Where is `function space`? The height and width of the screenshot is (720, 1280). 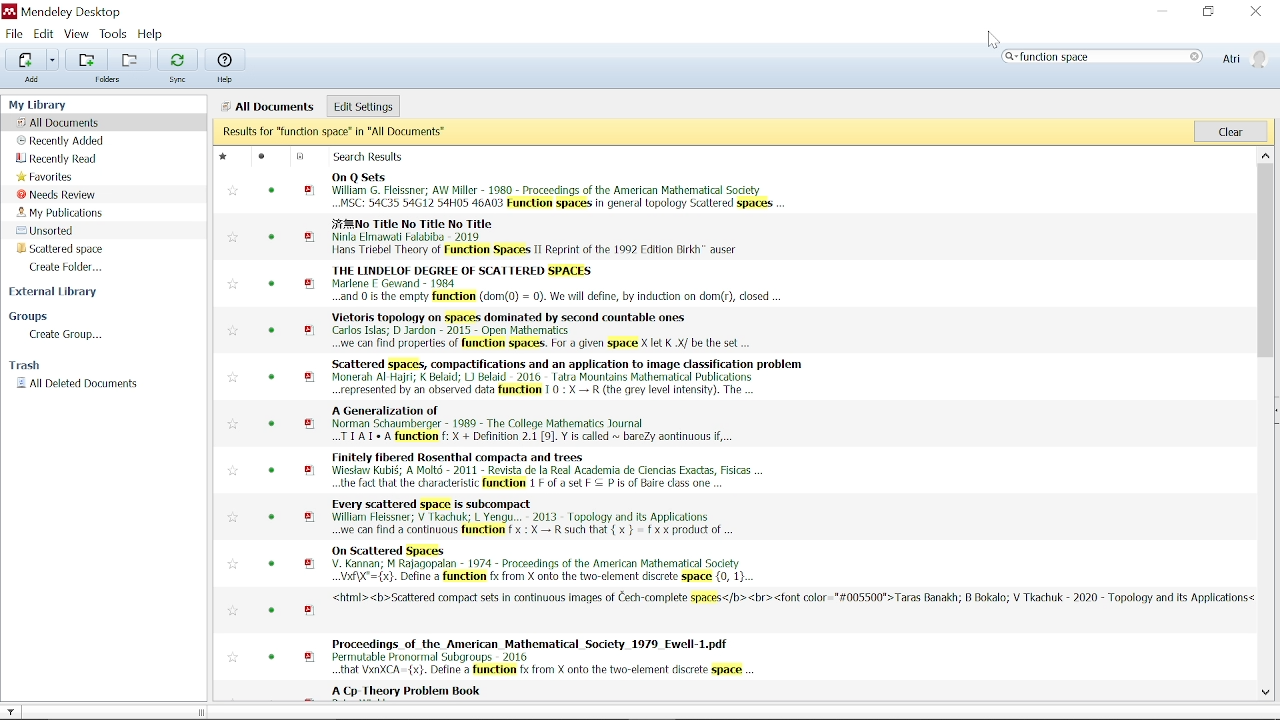 function space is located at coordinates (1101, 57).